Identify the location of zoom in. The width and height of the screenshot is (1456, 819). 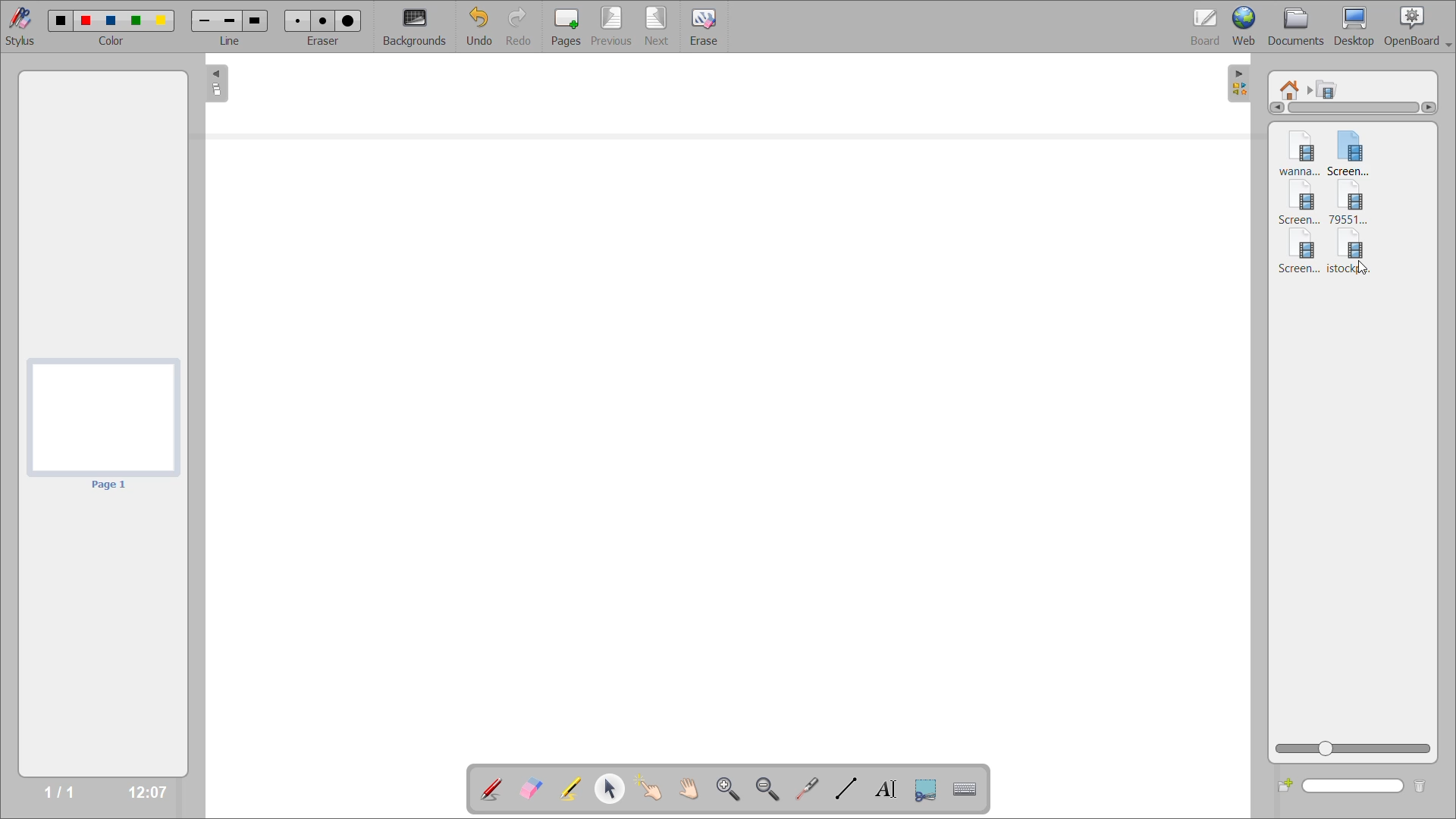
(726, 788).